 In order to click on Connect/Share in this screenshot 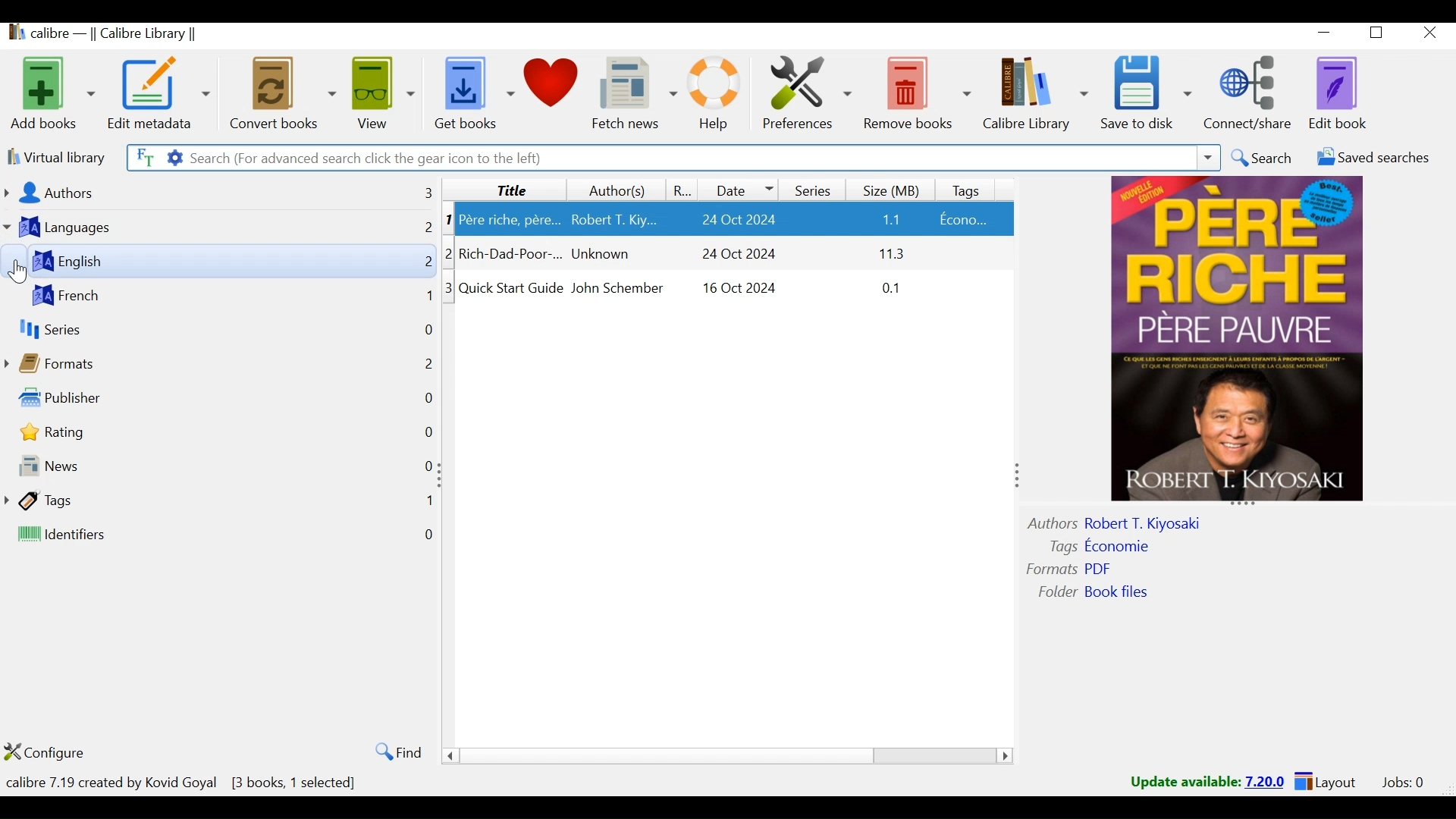, I will do `click(1252, 92)`.